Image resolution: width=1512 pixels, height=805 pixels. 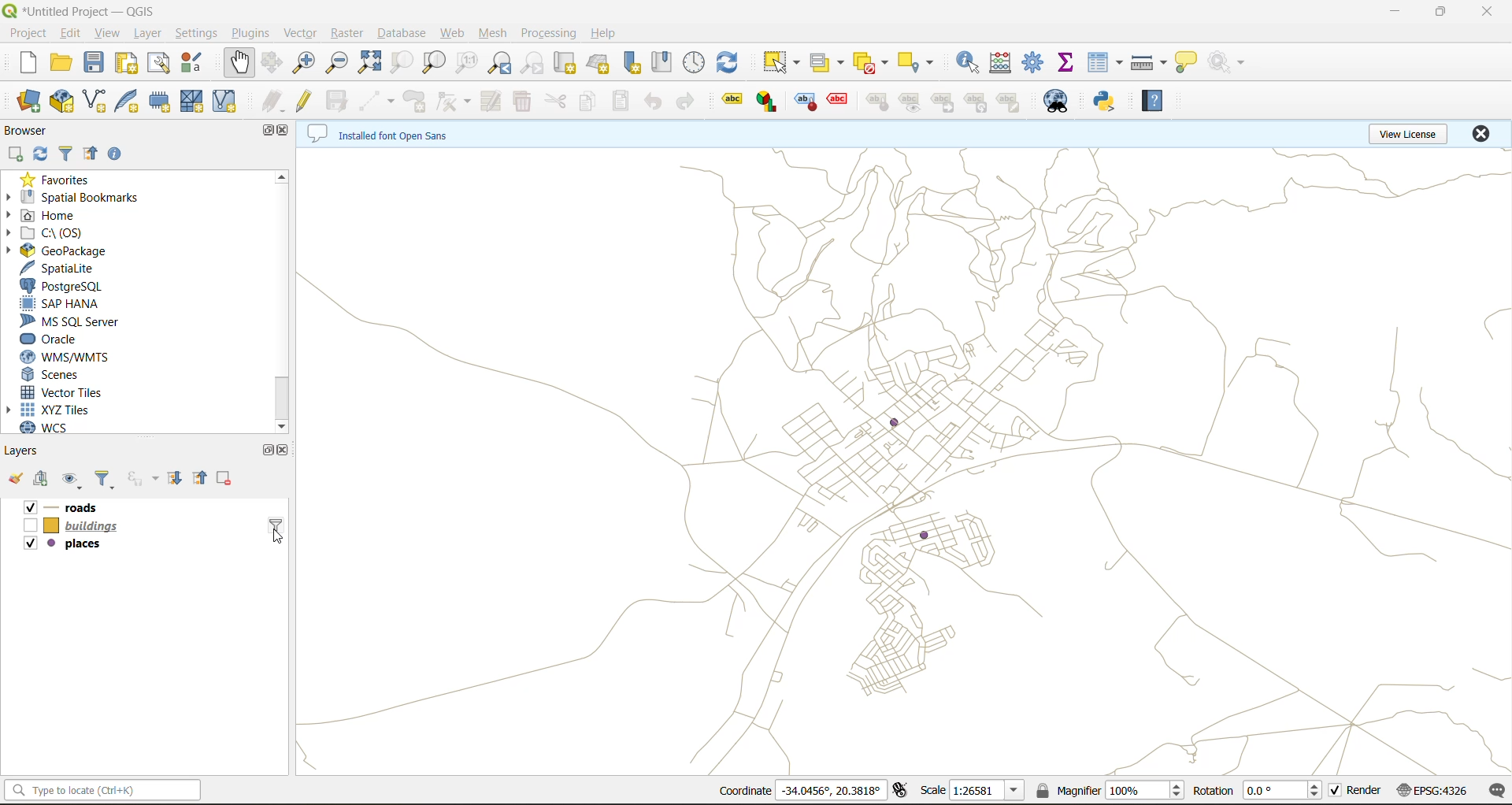 What do you see at coordinates (1106, 65) in the screenshot?
I see `attributes table` at bounding box center [1106, 65].